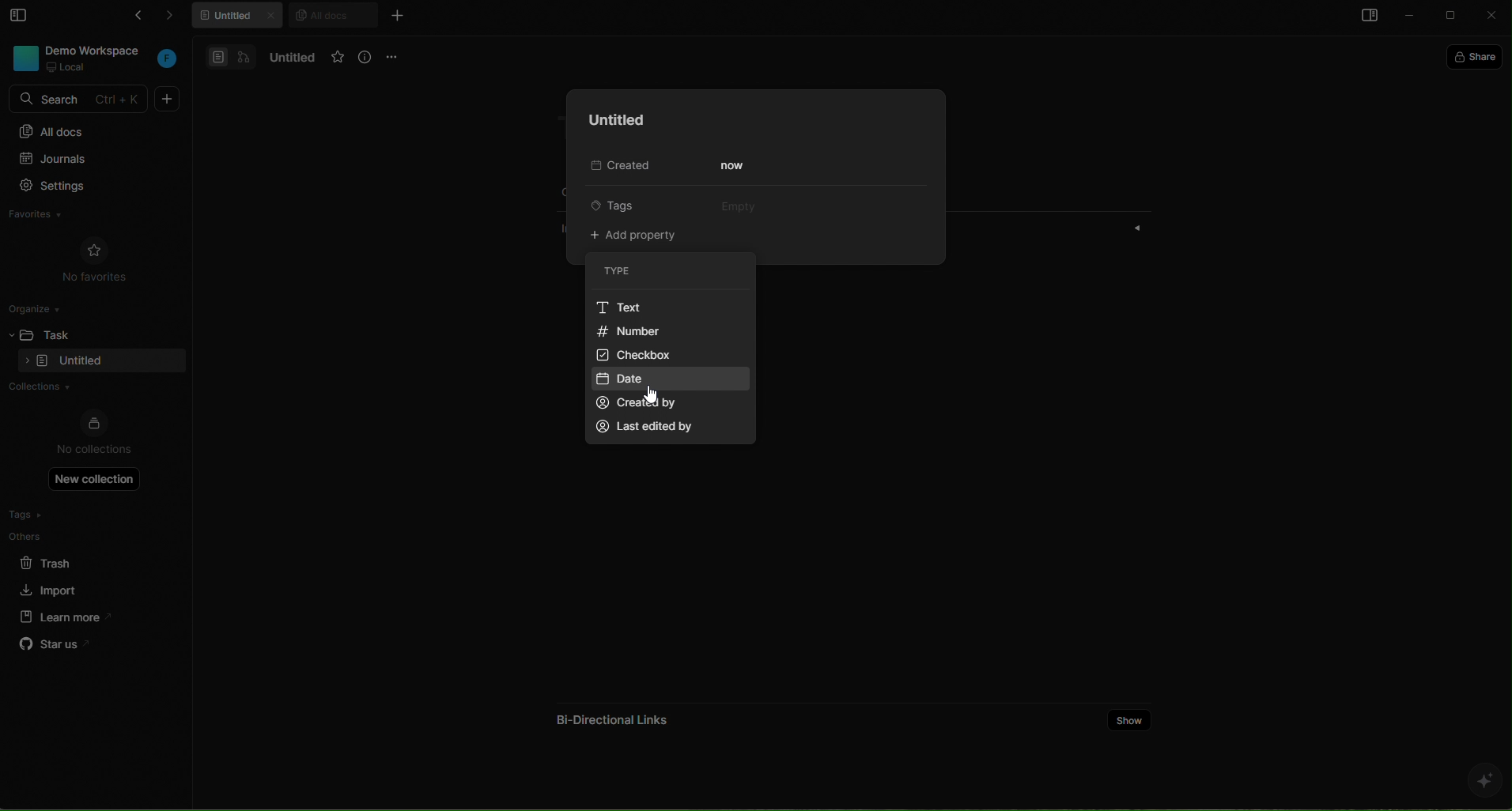 This screenshot has width=1512, height=811. Describe the element at coordinates (1411, 17) in the screenshot. I see `minimize` at that location.